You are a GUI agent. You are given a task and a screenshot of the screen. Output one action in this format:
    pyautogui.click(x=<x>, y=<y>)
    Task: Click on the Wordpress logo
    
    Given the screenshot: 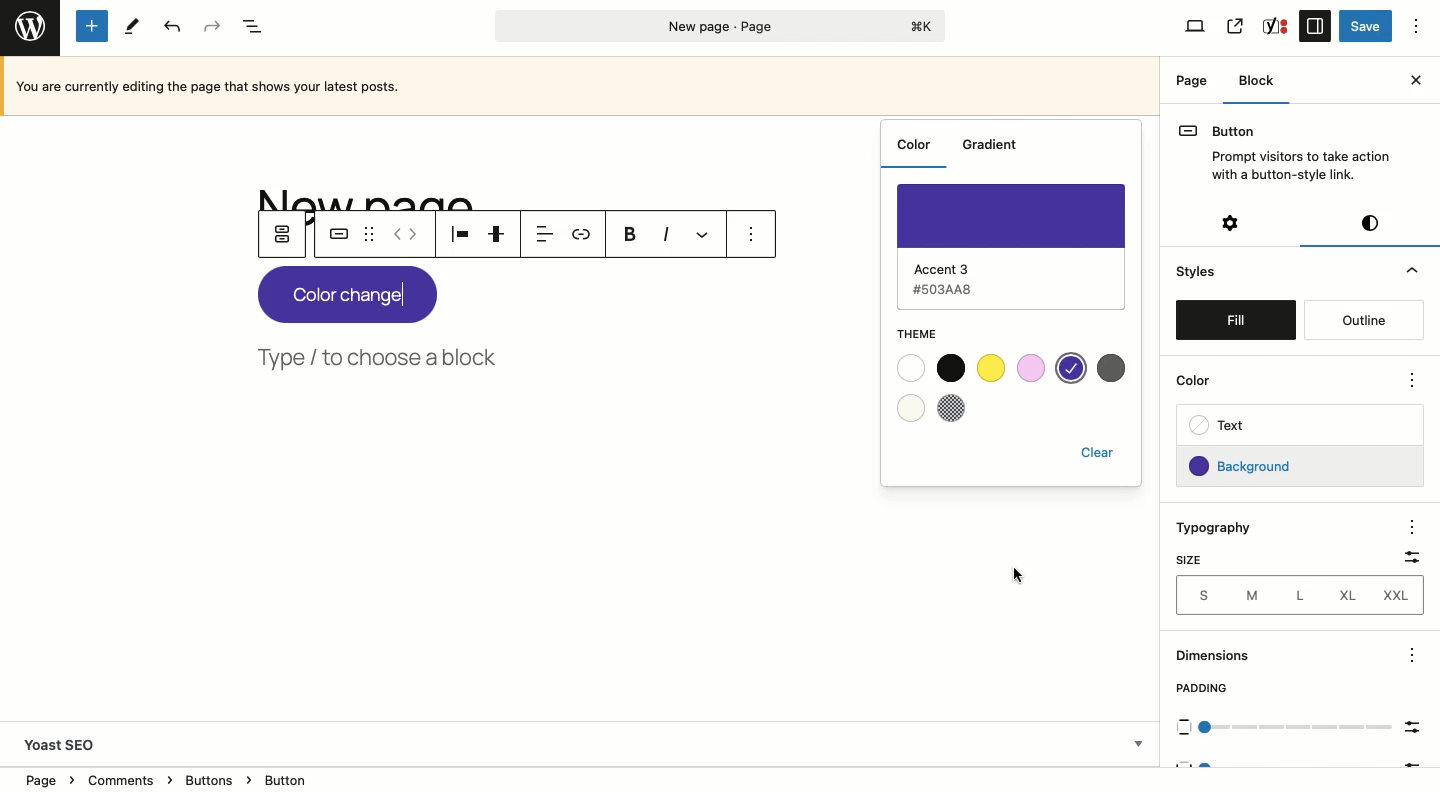 What is the action you would take?
    pyautogui.click(x=30, y=26)
    